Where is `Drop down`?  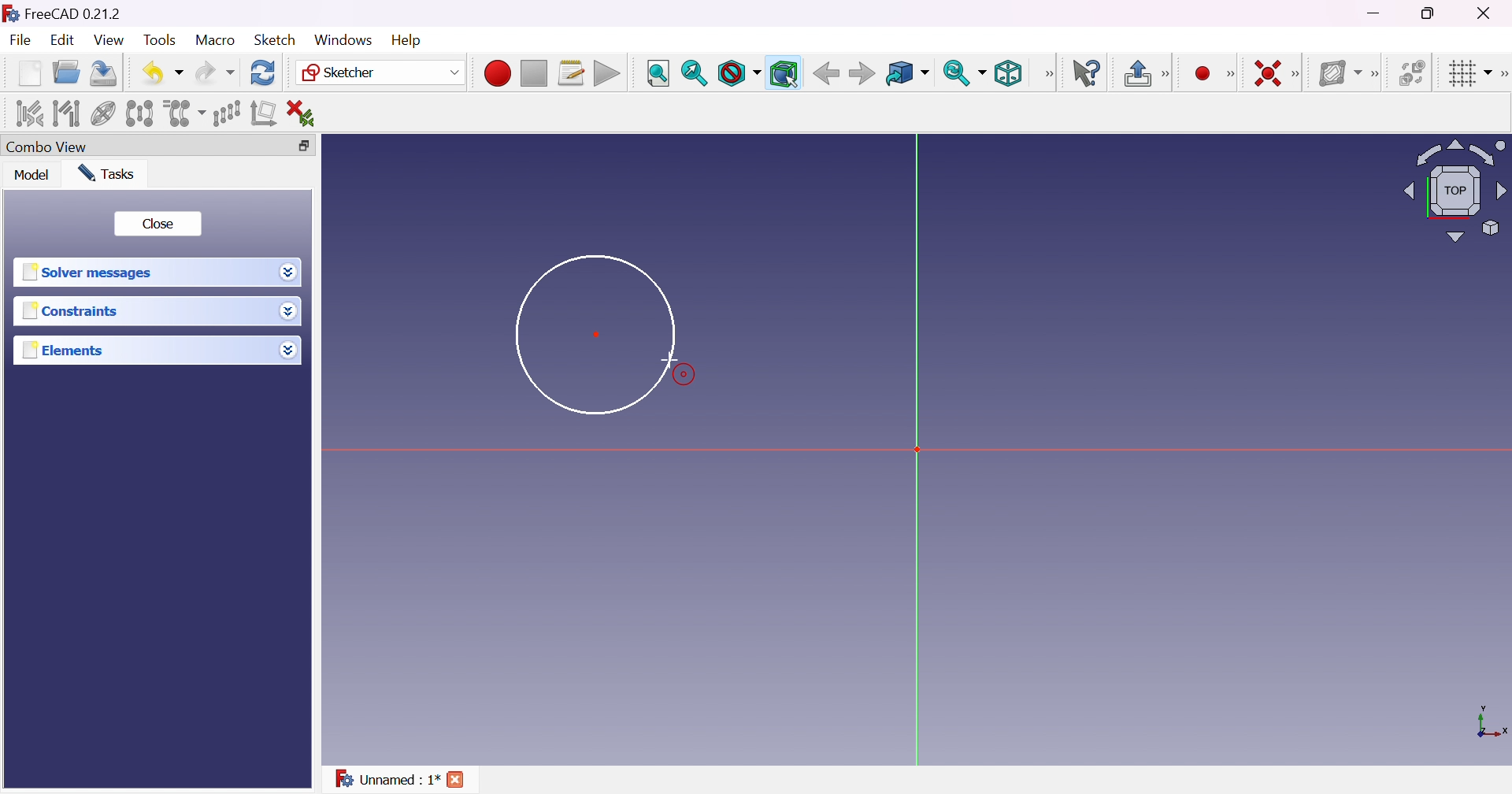 Drop down is located at coordinates (288, 350).